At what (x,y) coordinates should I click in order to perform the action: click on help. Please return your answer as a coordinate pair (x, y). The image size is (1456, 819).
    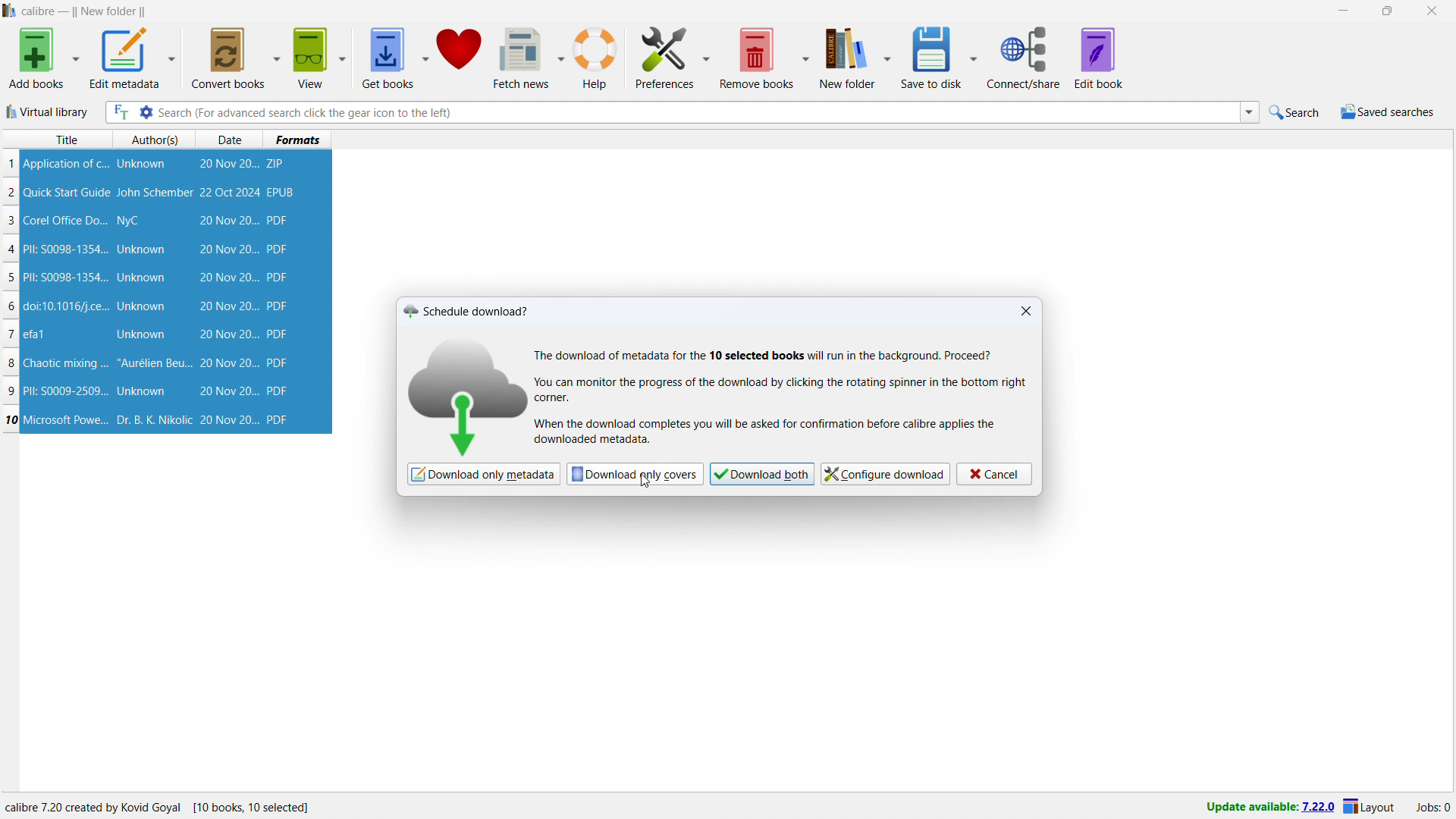
    Looking at the image, I should click on (597, 57).